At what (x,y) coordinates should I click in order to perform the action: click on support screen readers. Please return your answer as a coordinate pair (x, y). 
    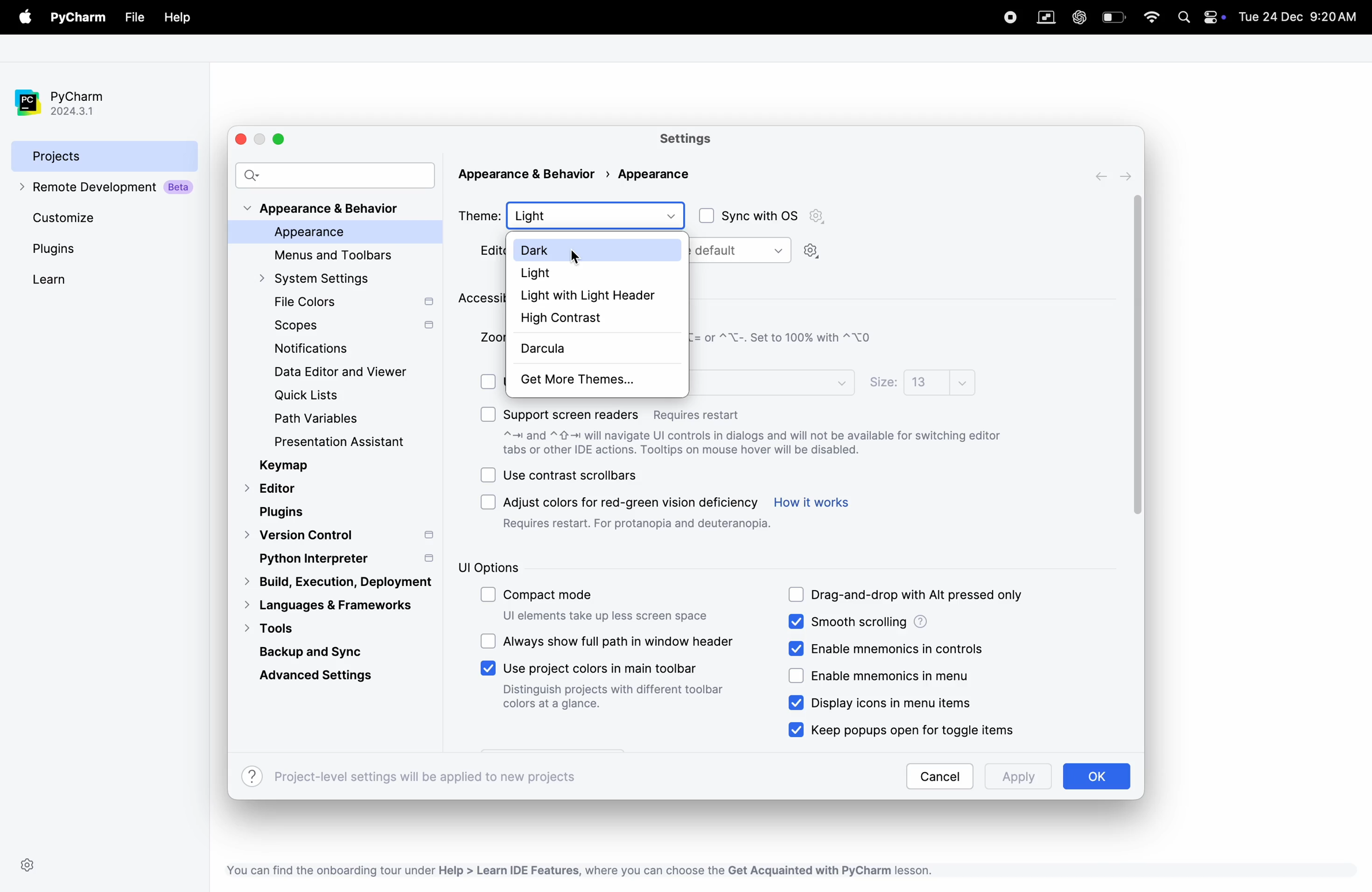
    Looking at the image, I should click on (624, 411).